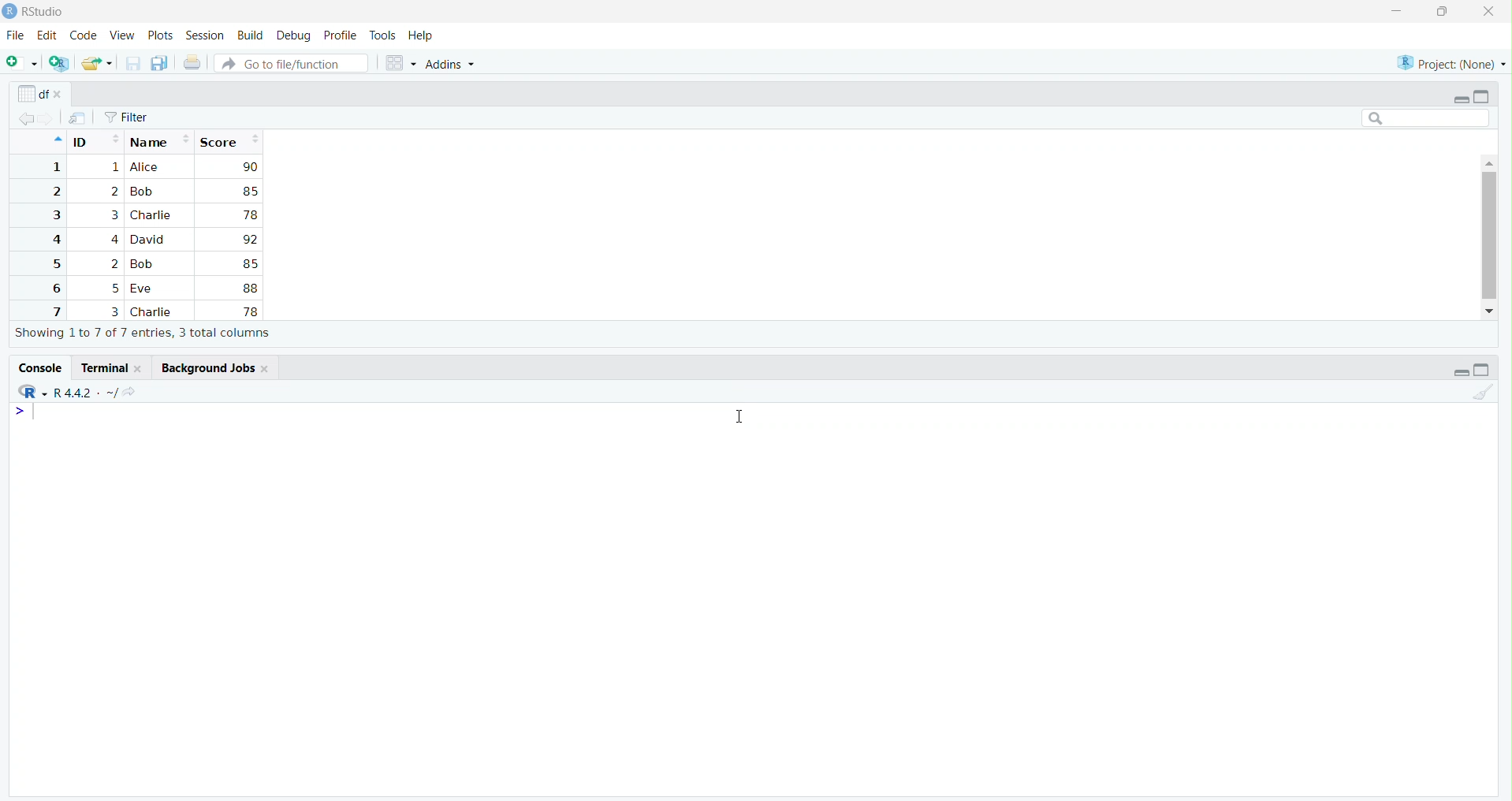  I want to click on Code, so click(84, 36).